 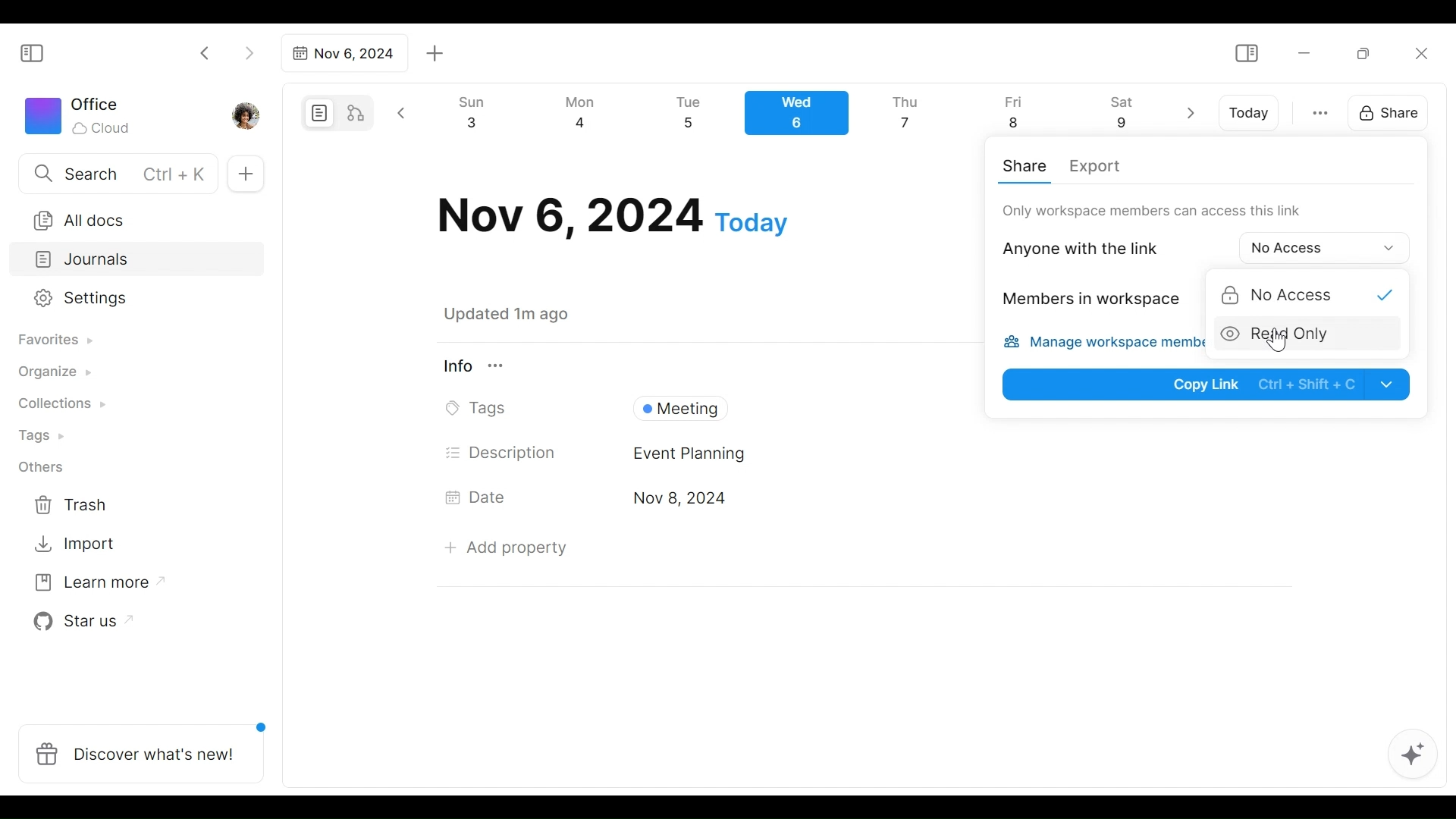 I want to click on vertical scrollbar, so click(x=1442, y=431).